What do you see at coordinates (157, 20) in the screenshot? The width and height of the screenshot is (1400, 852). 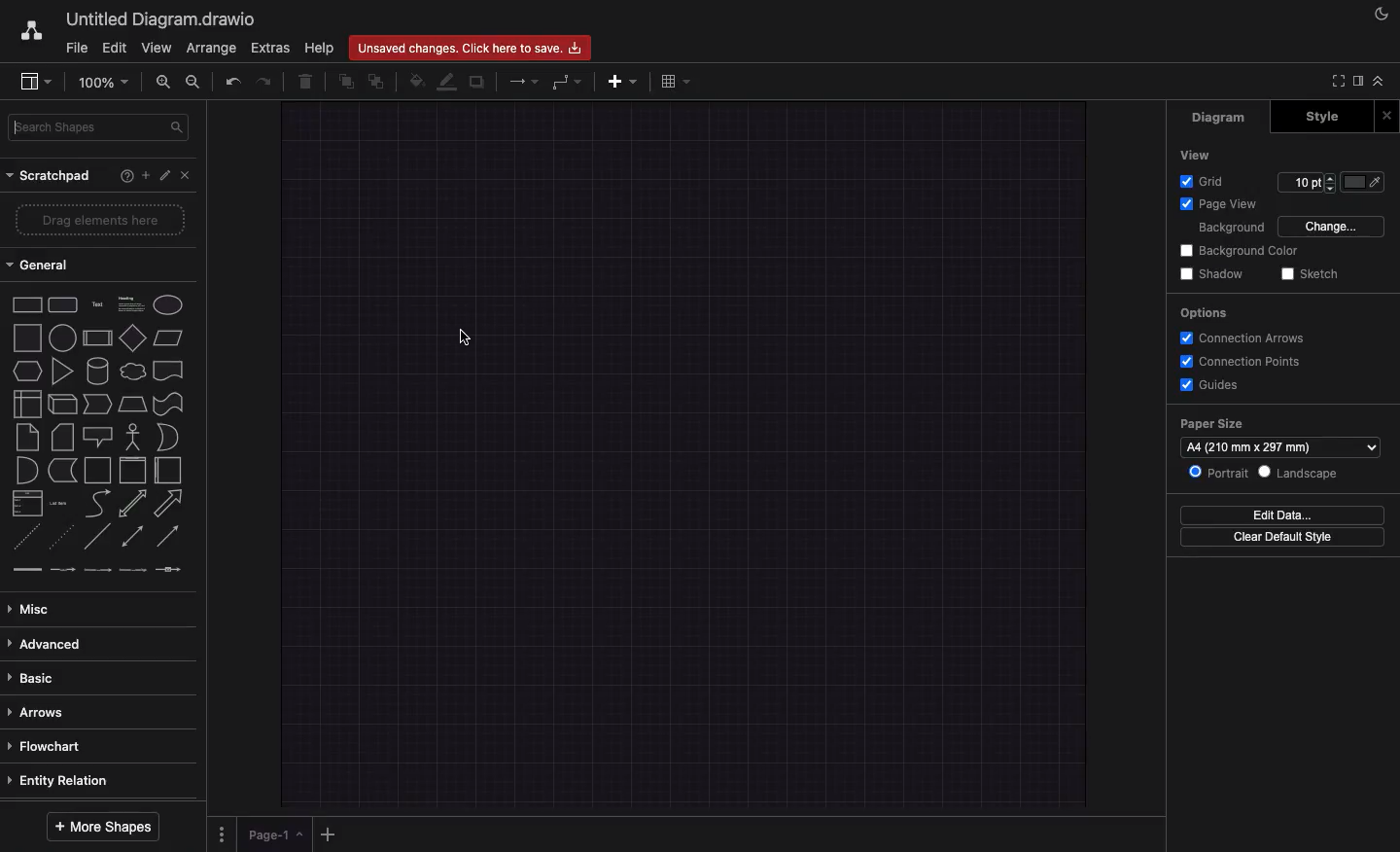 I see `Untitled` at bounding box center [157, 20].